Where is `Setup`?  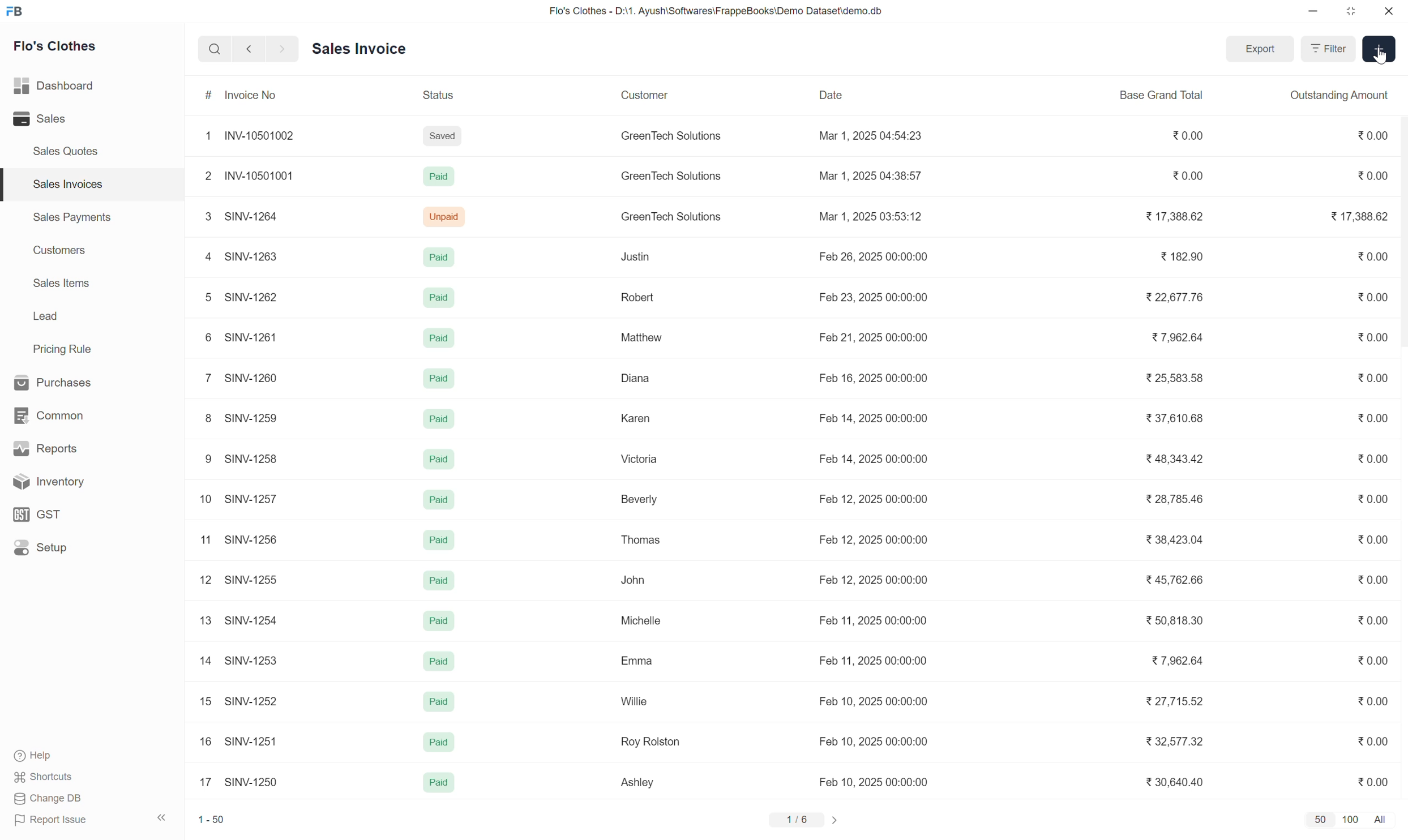
Setup is located at coordinates (82, 551).